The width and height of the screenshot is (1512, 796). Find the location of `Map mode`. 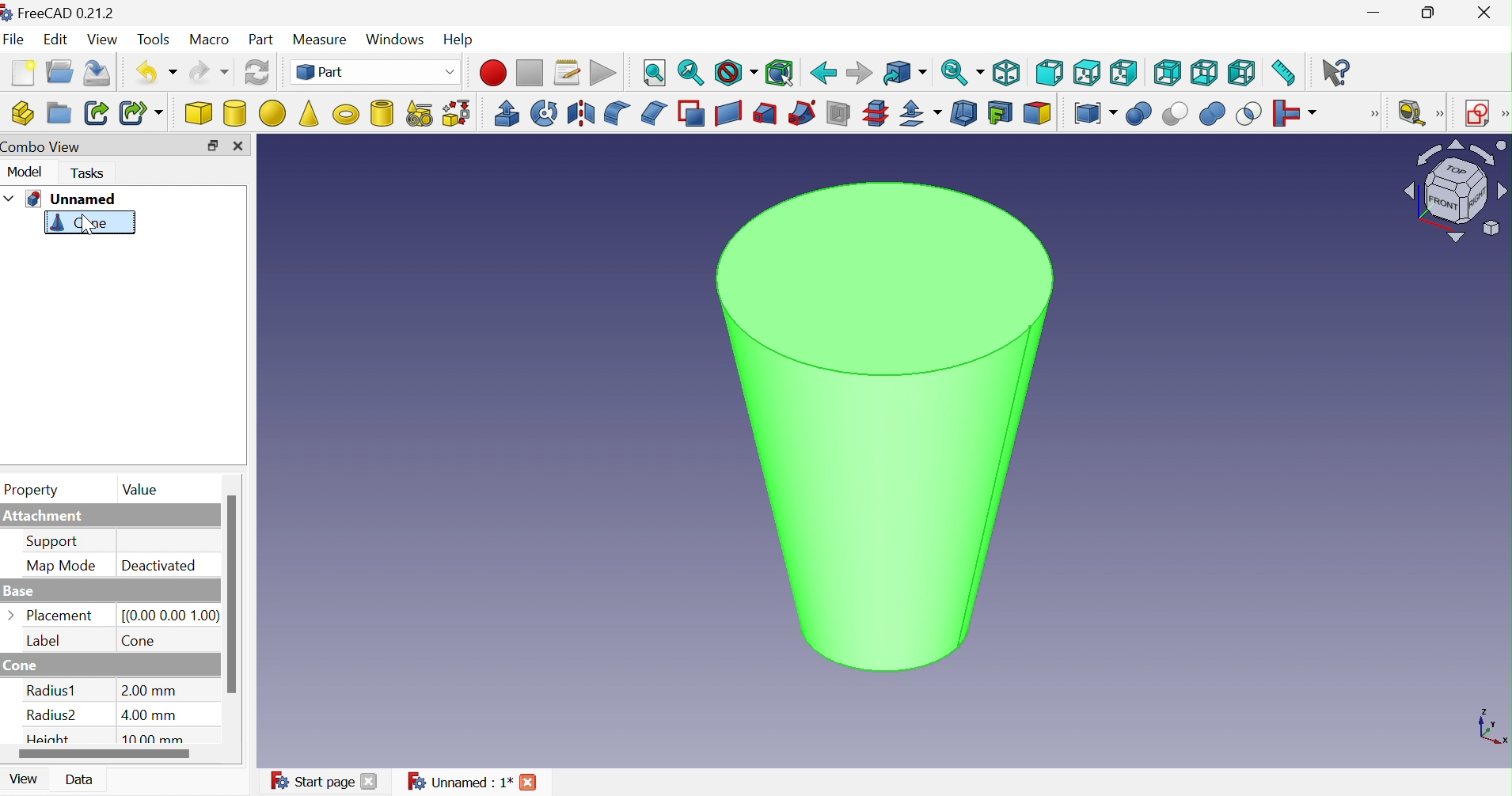

Map mode is located at coordinates (62, 566).